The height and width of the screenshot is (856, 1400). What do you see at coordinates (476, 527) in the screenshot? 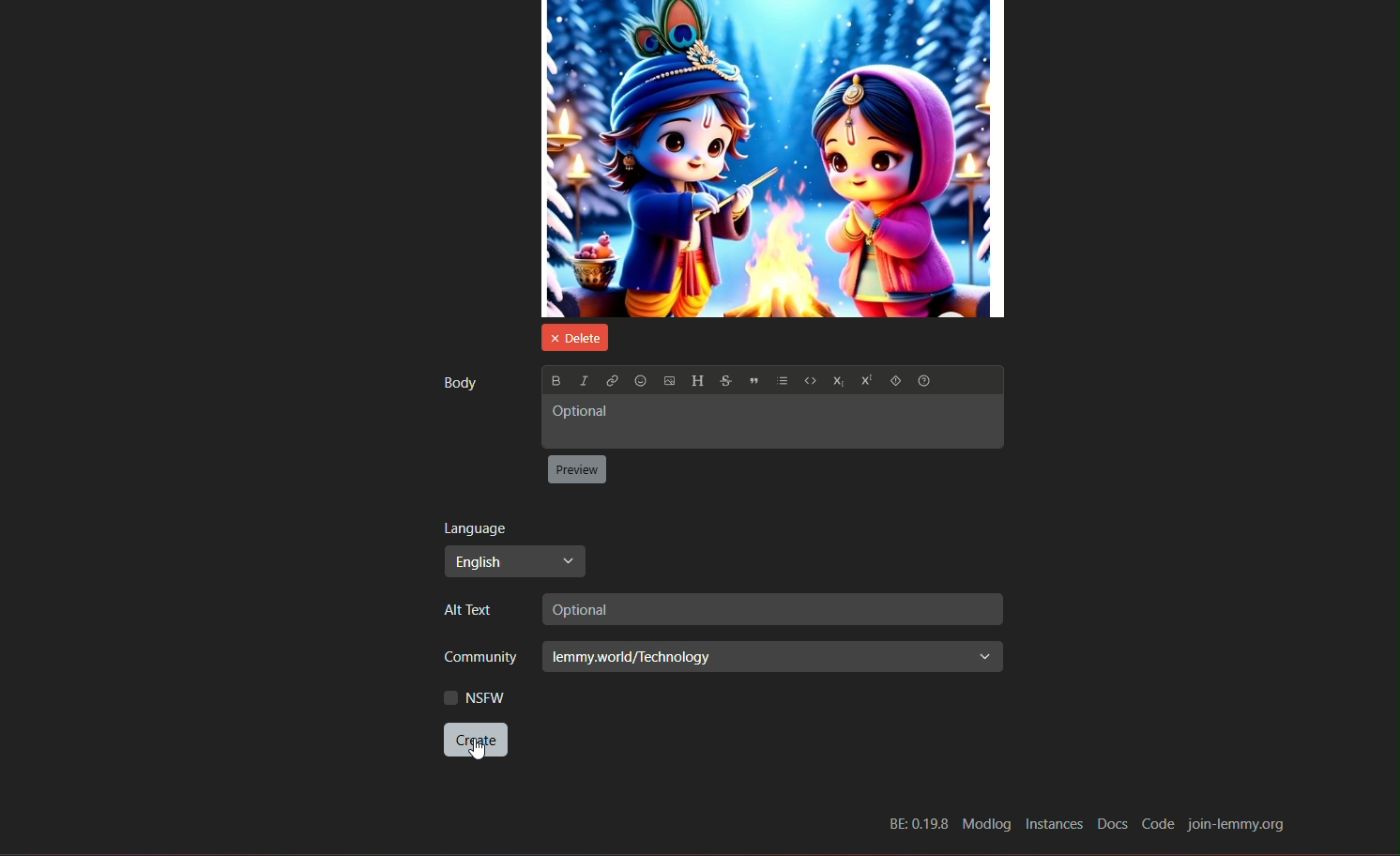
I see `language` at bounding box center [476, 527].